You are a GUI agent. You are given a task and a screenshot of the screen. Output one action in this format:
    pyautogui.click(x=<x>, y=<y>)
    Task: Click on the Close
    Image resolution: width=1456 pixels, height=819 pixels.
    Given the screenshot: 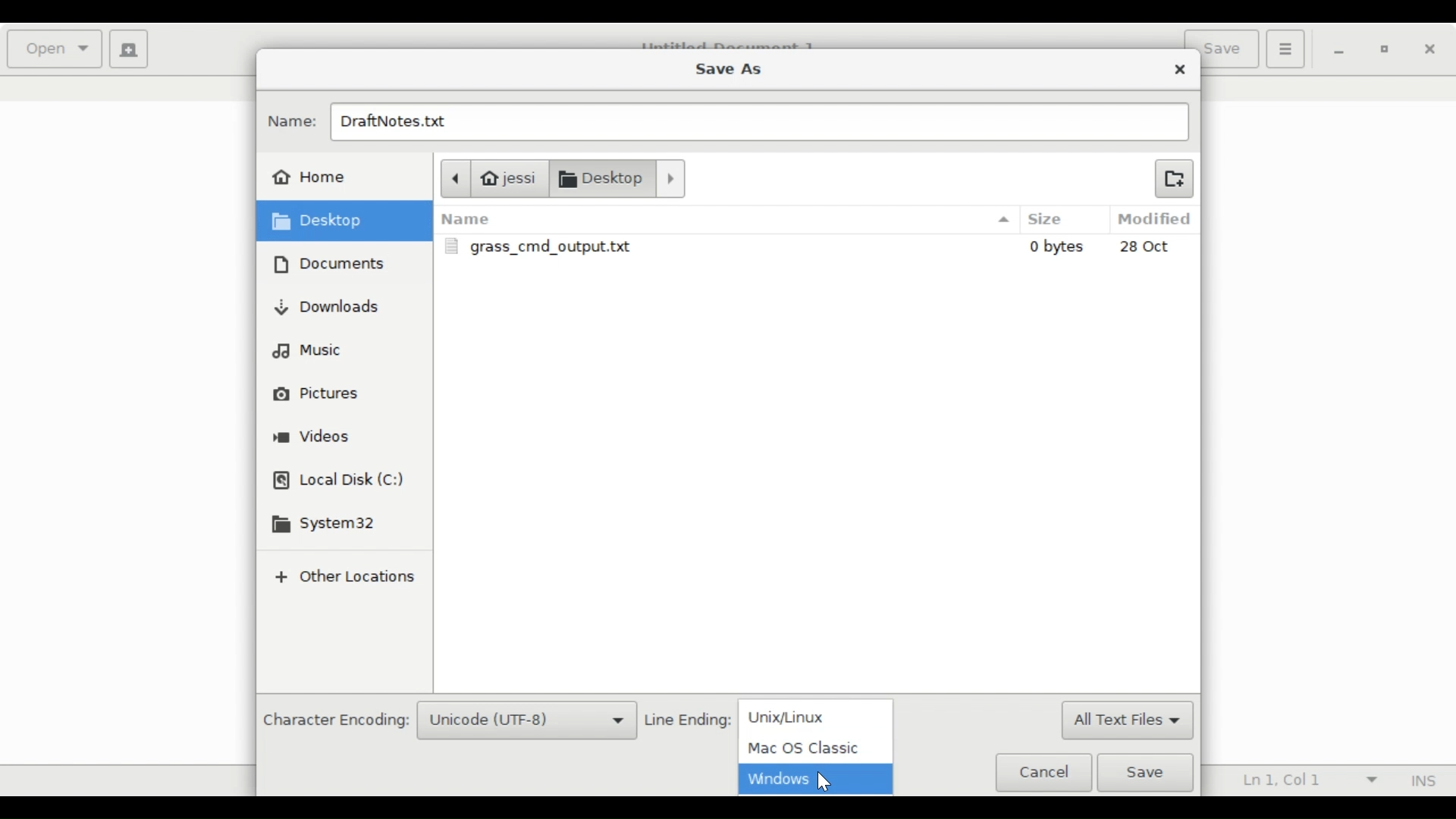 What is the action you would take?
    pyautogui.click(x=1430, y=50)
    